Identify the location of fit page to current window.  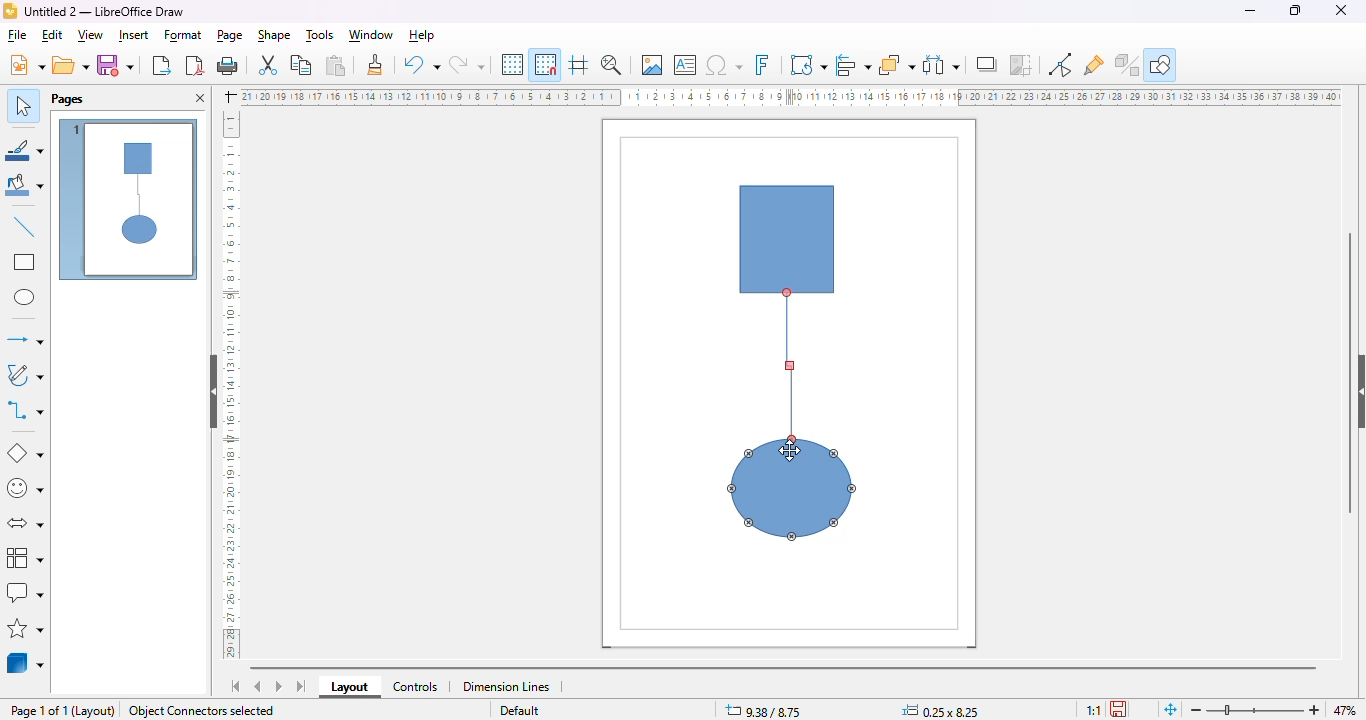
(1170, 709).